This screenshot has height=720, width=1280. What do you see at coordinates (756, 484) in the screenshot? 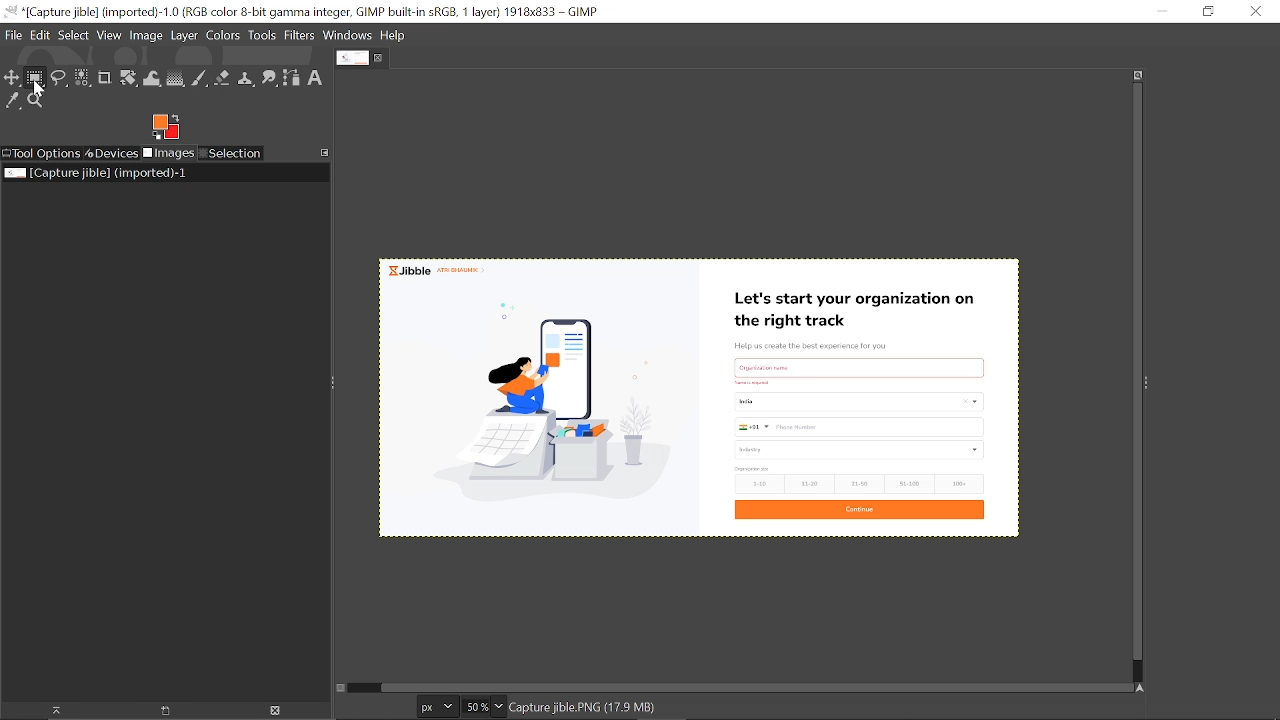
I see `1-10` at bounding box center [756, 484].